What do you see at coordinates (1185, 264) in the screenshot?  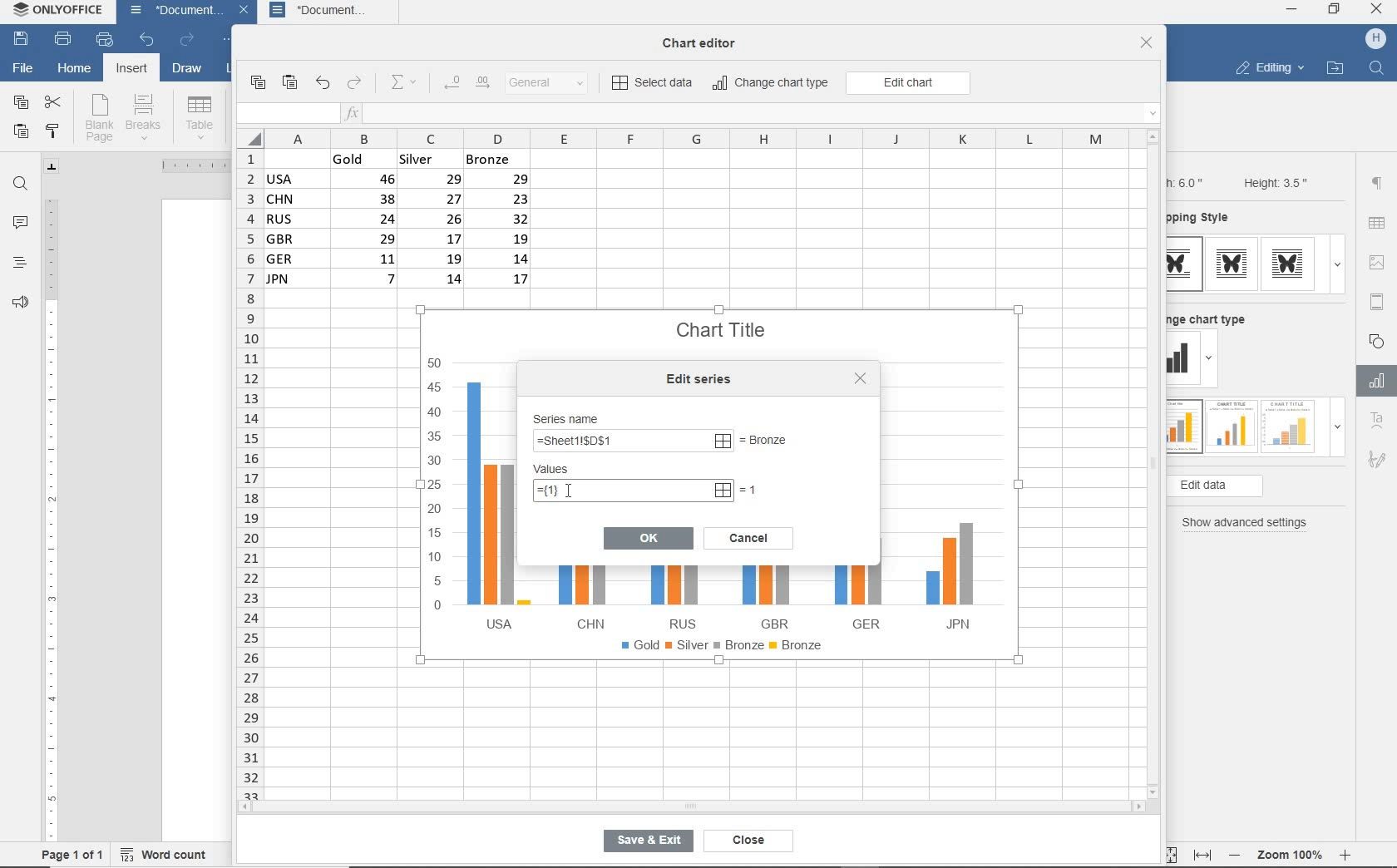 I see `type 1` at bounding box center [1185, 264].